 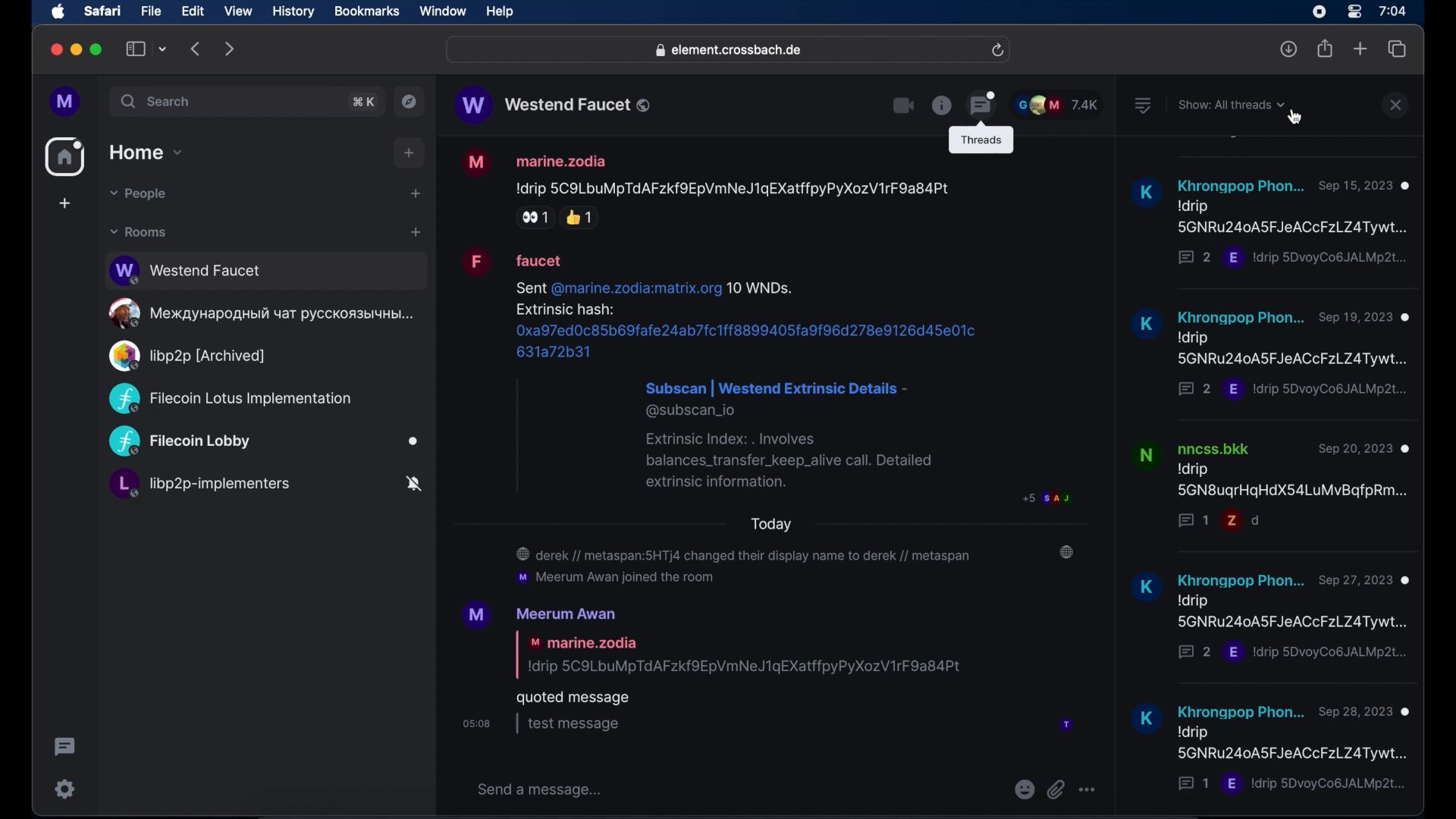 What do you see at coordinates (1317, 257) in the screenshot?
I see `E !drip 5DvoyCo6JALMp2t..` at bounding box center [1317, 257].